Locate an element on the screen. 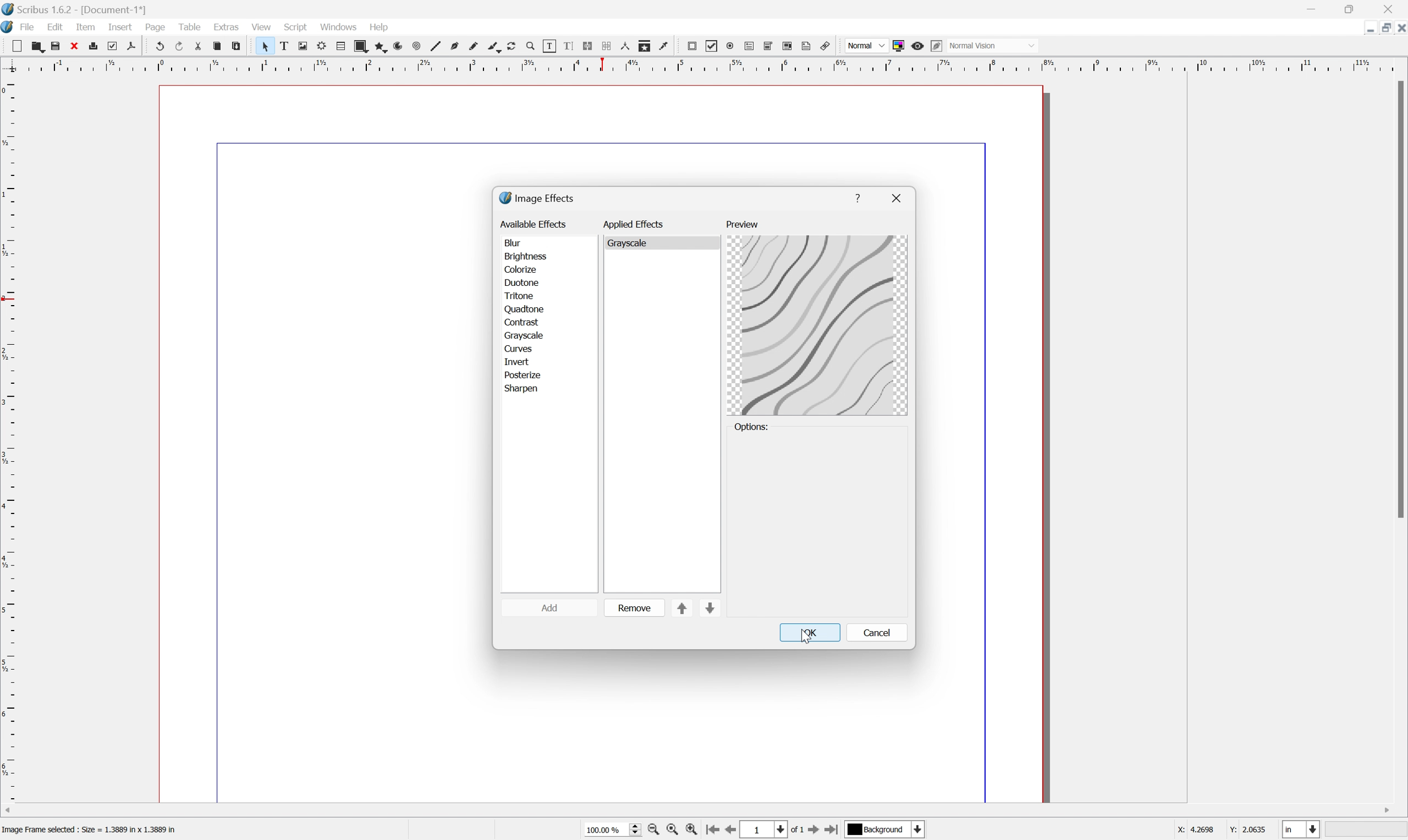  Table is located at coordinates (345, 46).